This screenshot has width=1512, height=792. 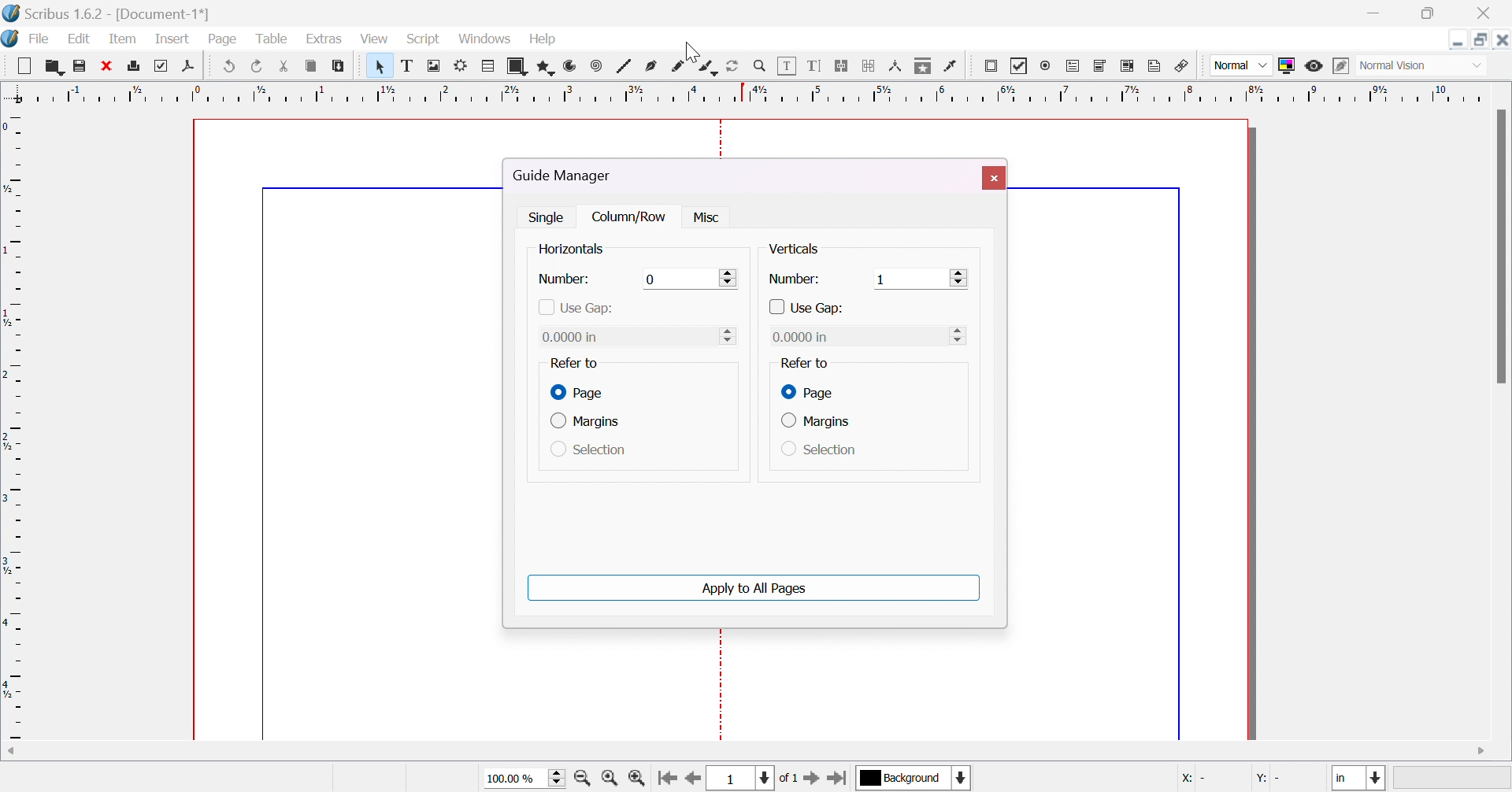 I want to click on Minimize, so click(x=1458, y=39).